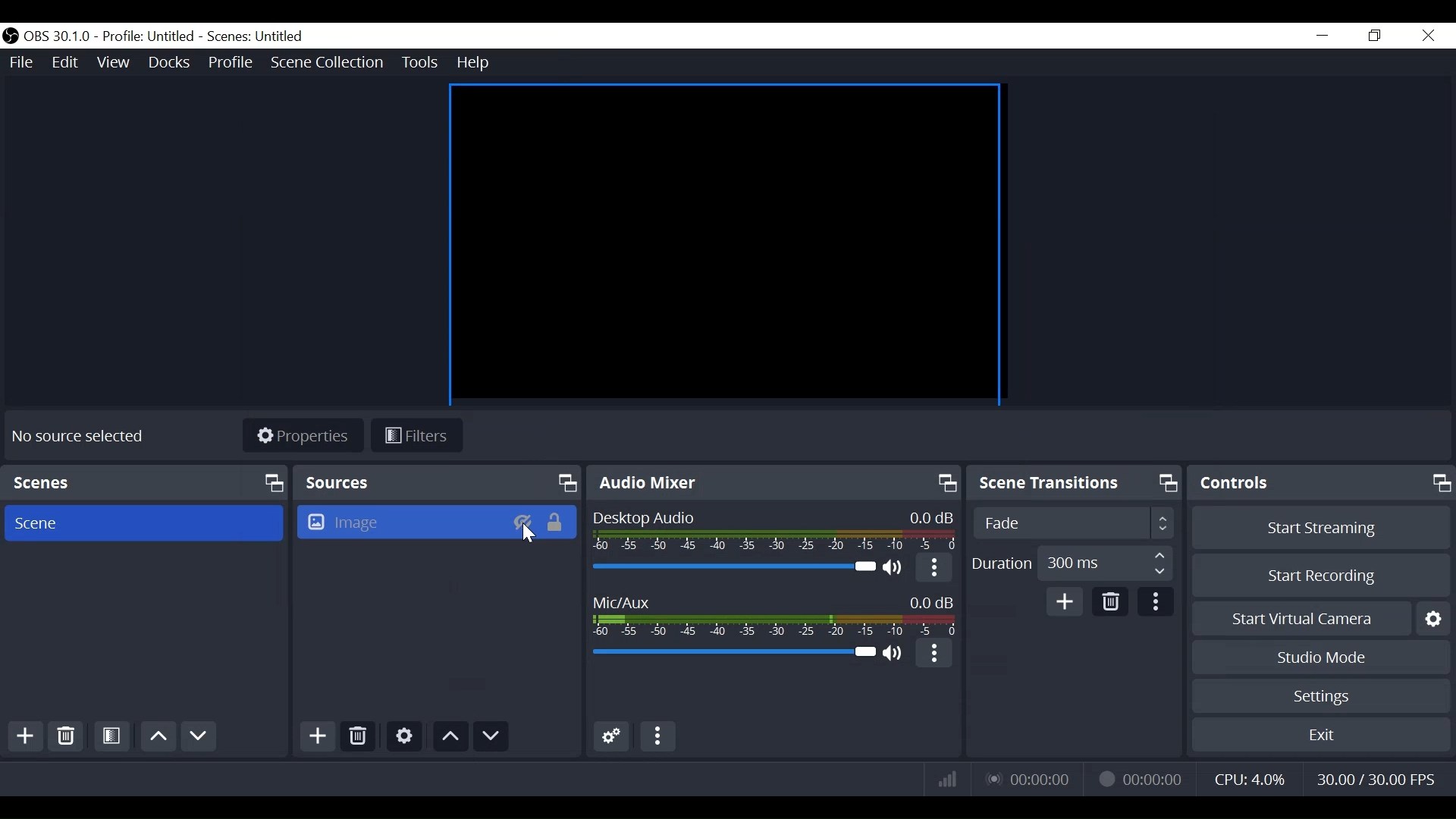 The image size is (1456, 819). Describe the element at coordinates (1068, 601) in the screenshot. I see `Add` at that location.